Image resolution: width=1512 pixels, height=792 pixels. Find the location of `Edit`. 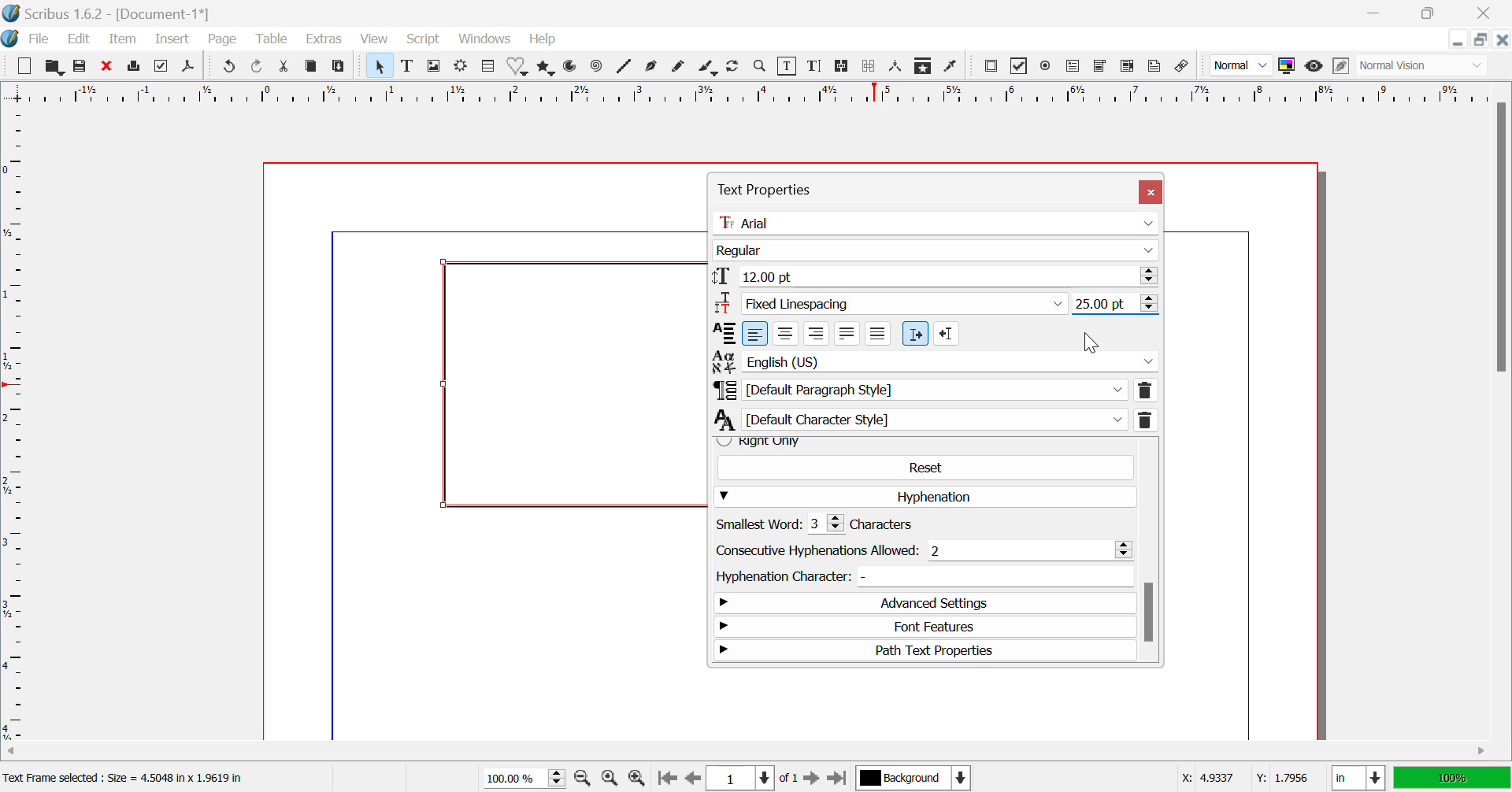

Edit is located at coordinates (81, 41).